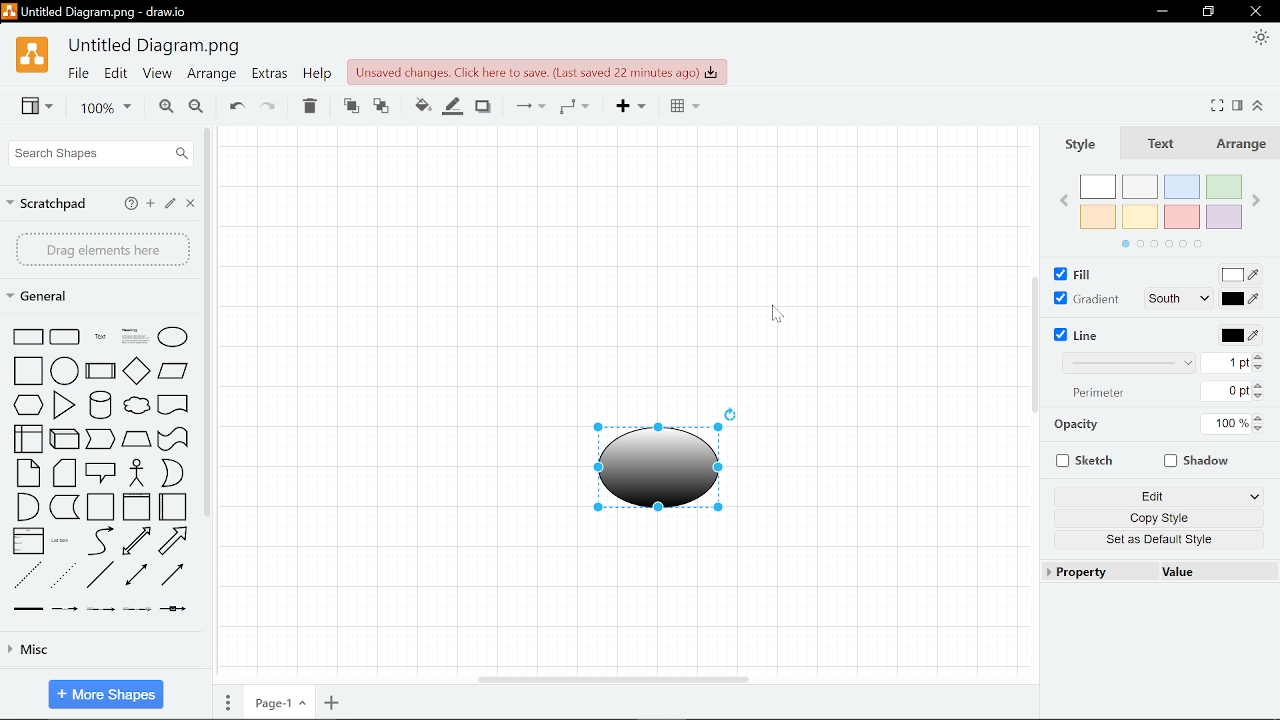 The width and height of the screenshot is (1280, 720). Describe the element at coordinates (1174, 244) in the screenshot. I see `Color palette navigation` at that location.